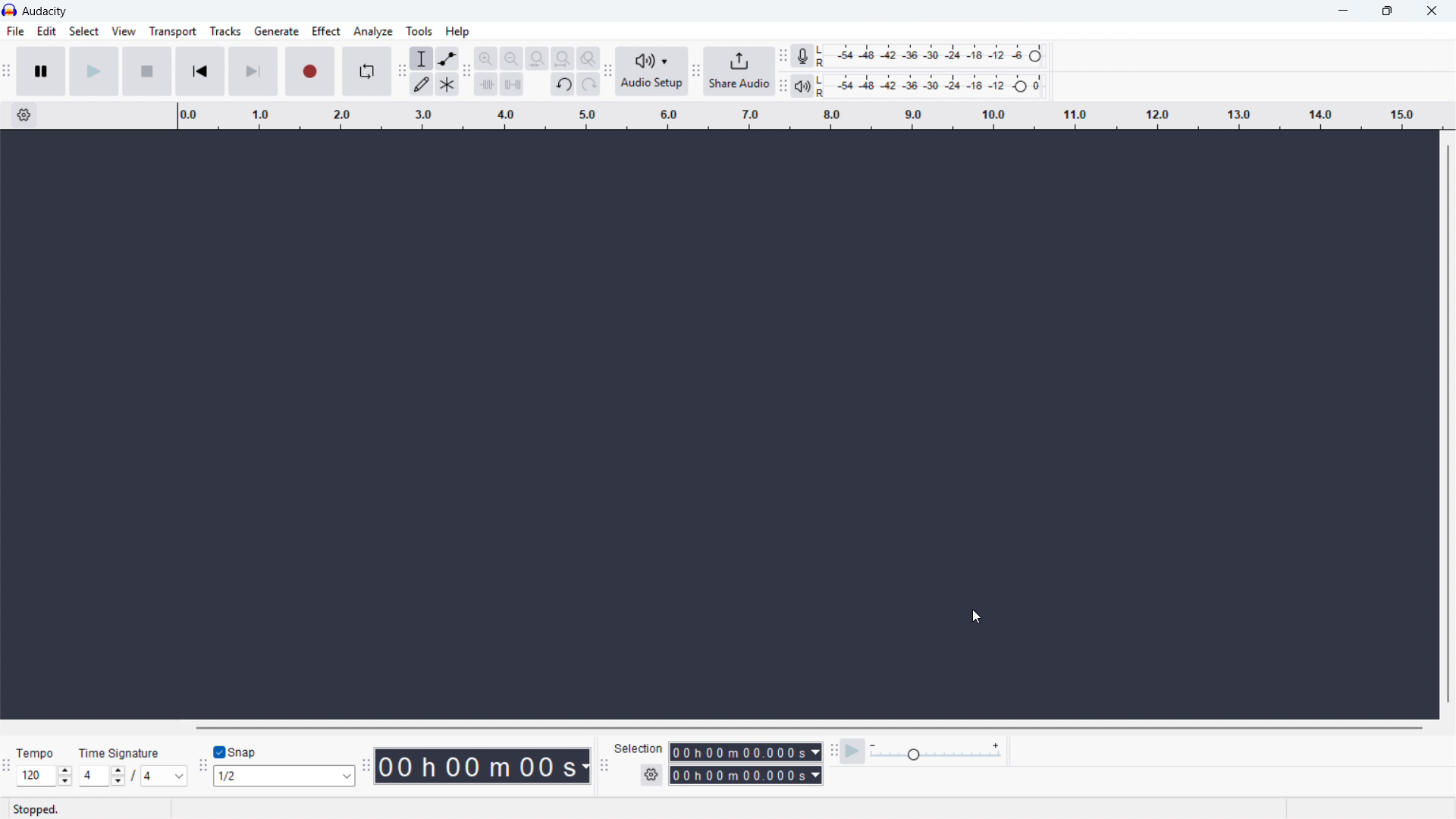 Image resolution: width=1456 pixels, height=819 pixels. I want to click on share audio toolbar, so click(695, 71).